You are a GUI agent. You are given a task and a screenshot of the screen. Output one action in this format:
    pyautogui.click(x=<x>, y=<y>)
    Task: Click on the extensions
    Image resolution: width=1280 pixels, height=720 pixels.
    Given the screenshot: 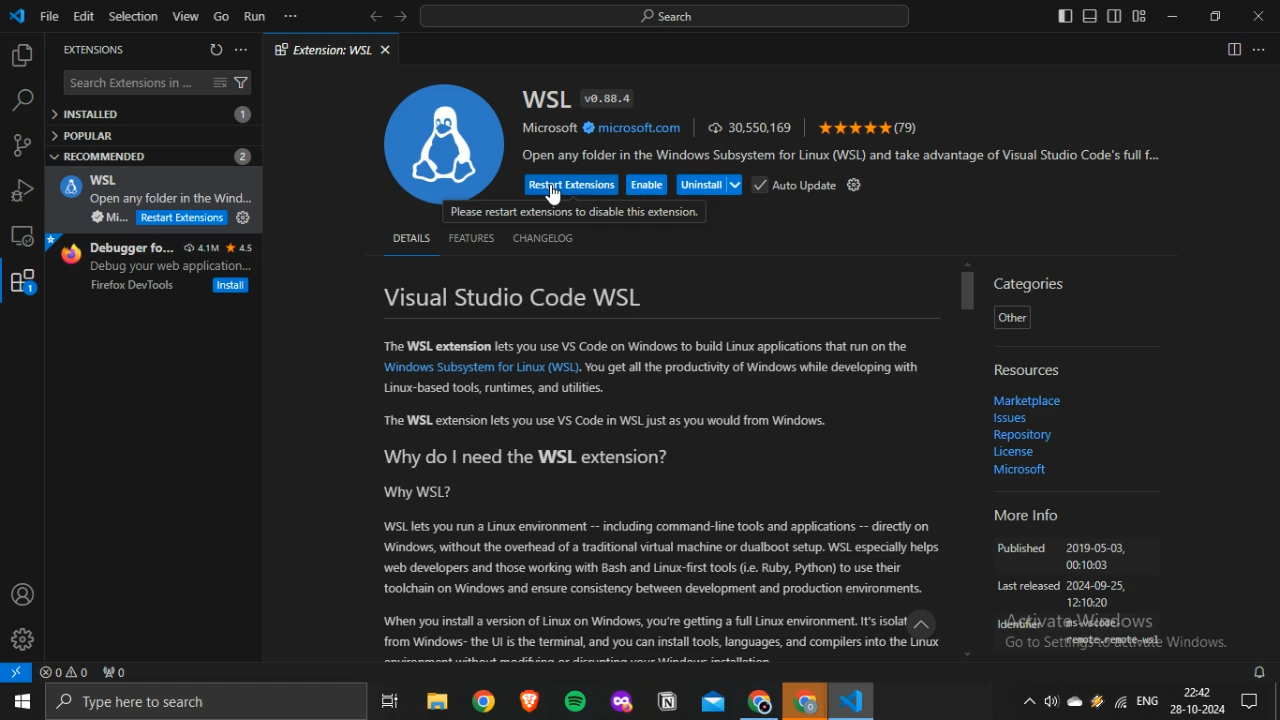 What is the action you would take?
    pyautogui.click(x=24, y=282)
    